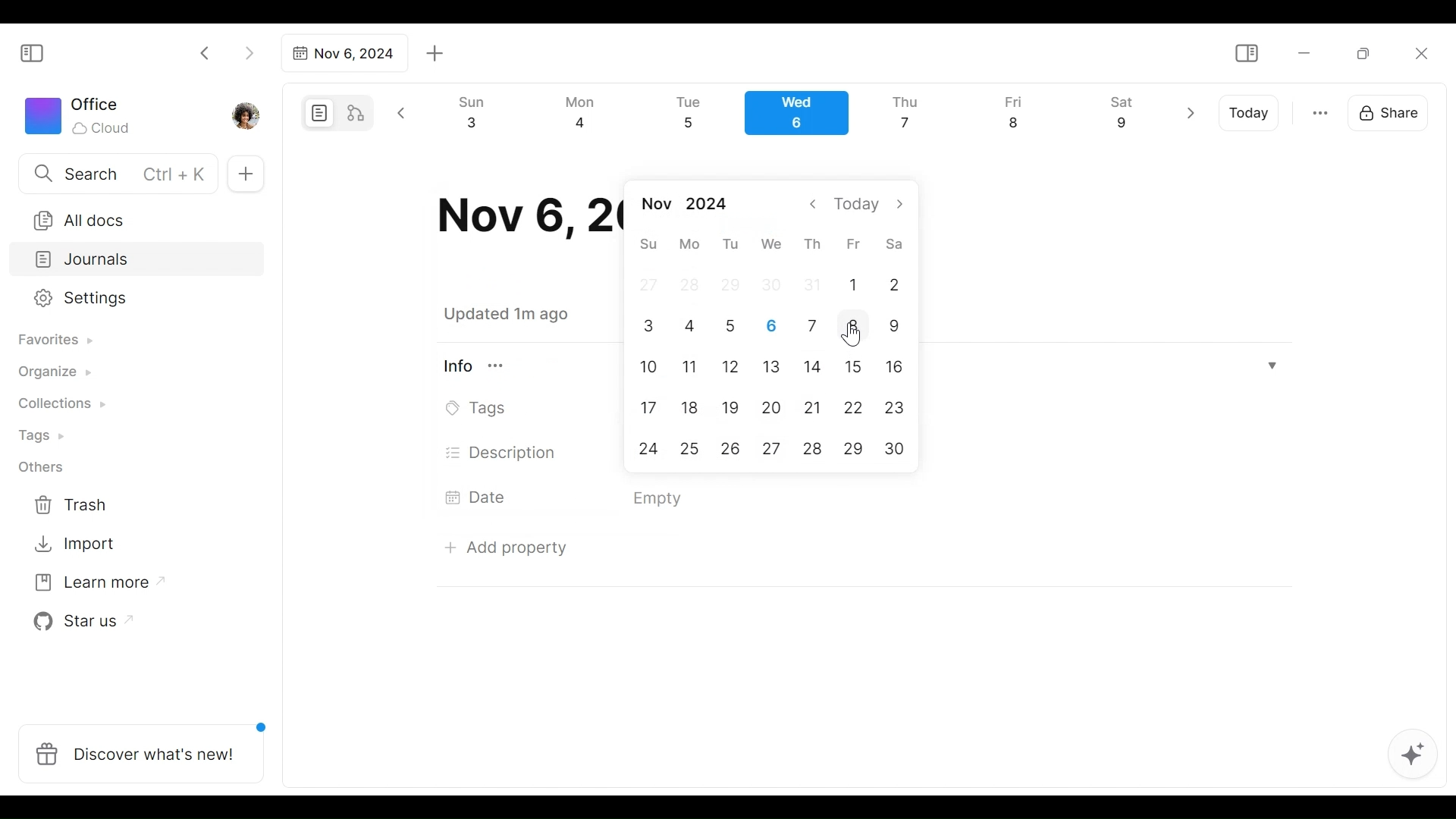 The width and height of the screenshot is (1456, 819). Describe the element at coordinates (138, 261) in the screenshot. I see `Journals` at that location.